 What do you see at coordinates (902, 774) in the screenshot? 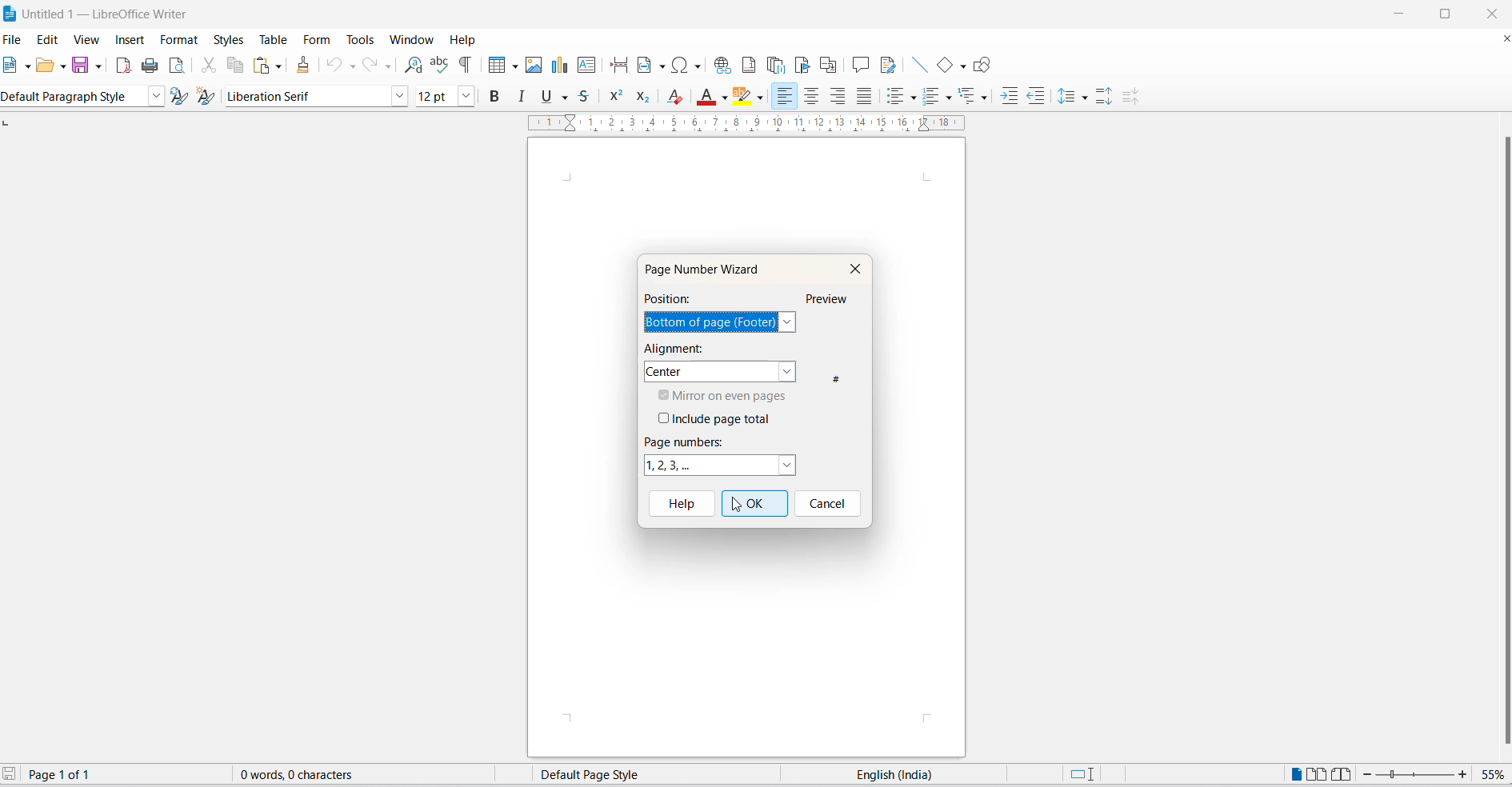
I see `text language` at bounding box center [902, 774].